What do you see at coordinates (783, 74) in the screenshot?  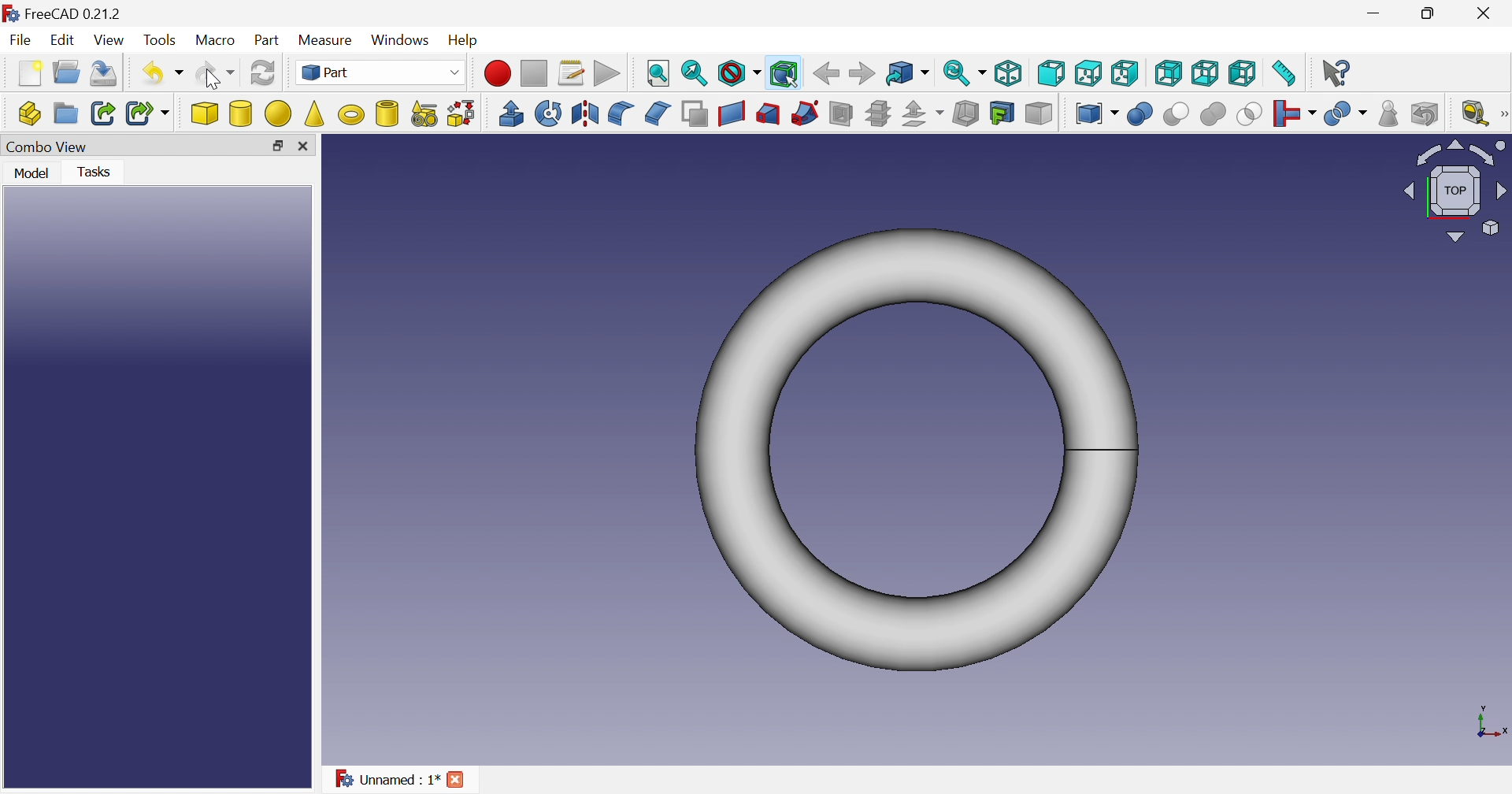 I see `Bounding box` at bounding box center [783, 74].